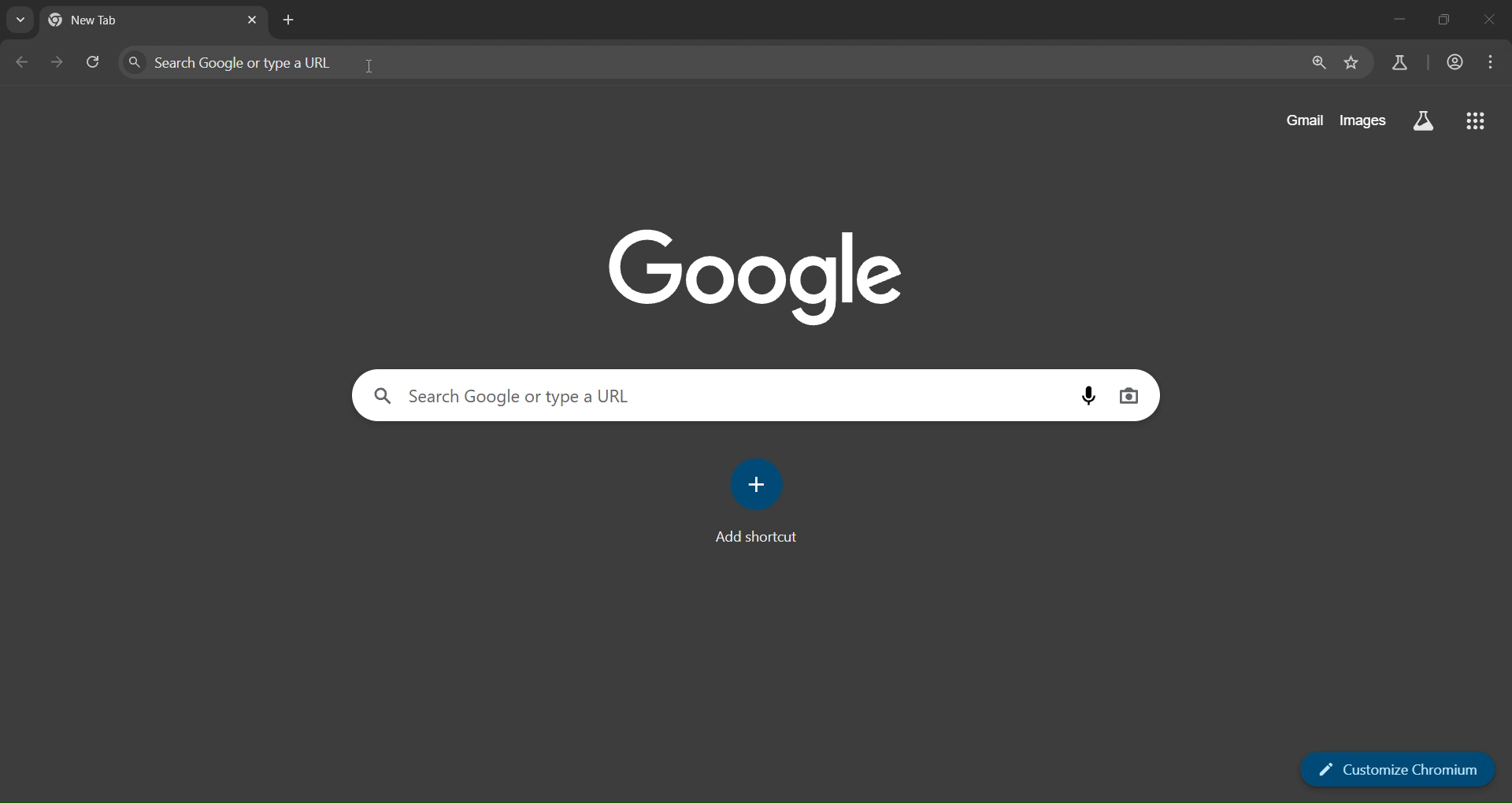 The width and height of the screenshot is (1512, 803). I want to click on zoom , so click(1319, 64).